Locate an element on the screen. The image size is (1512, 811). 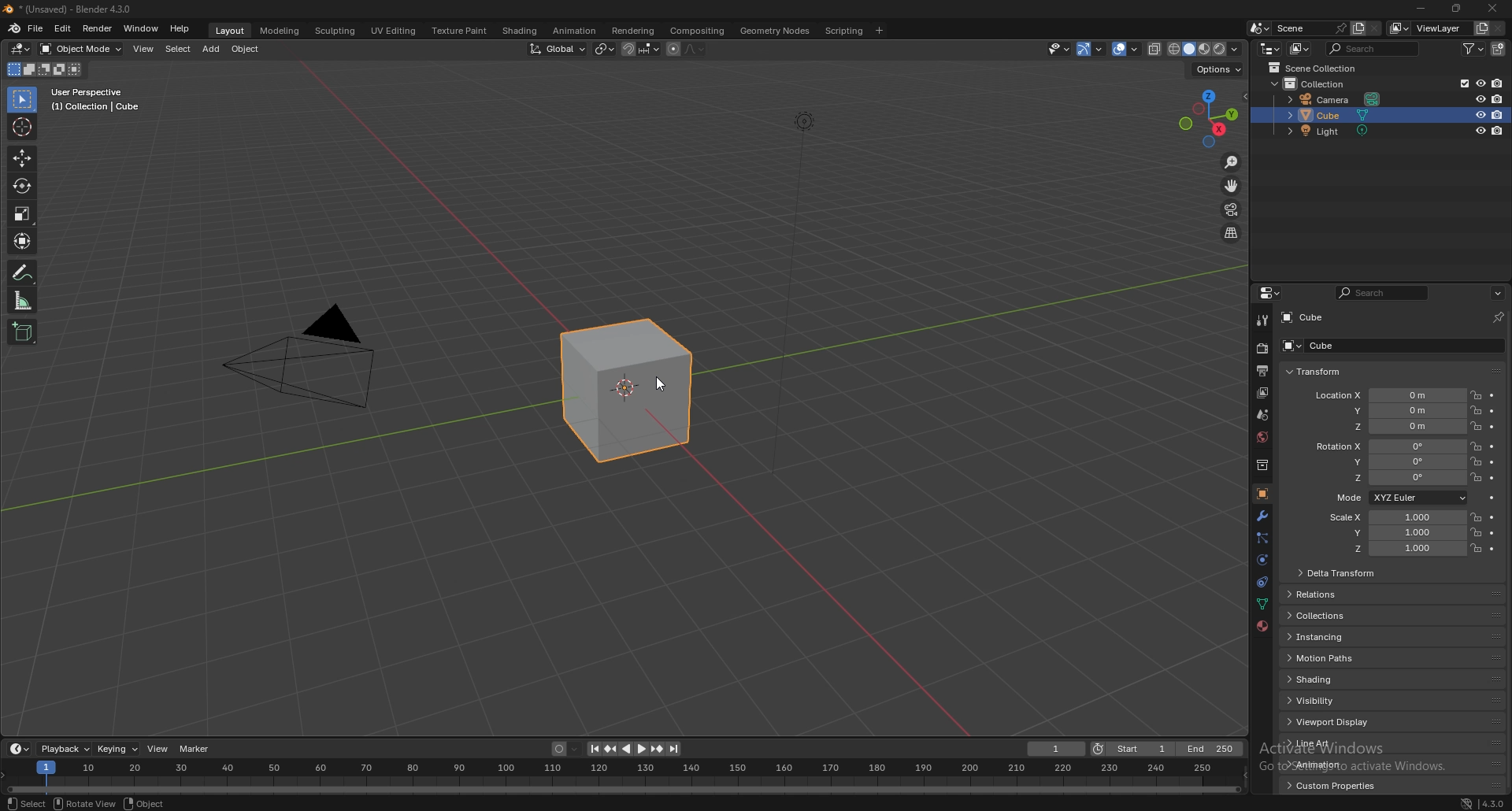
transform is located at coordinates (1333, 370).